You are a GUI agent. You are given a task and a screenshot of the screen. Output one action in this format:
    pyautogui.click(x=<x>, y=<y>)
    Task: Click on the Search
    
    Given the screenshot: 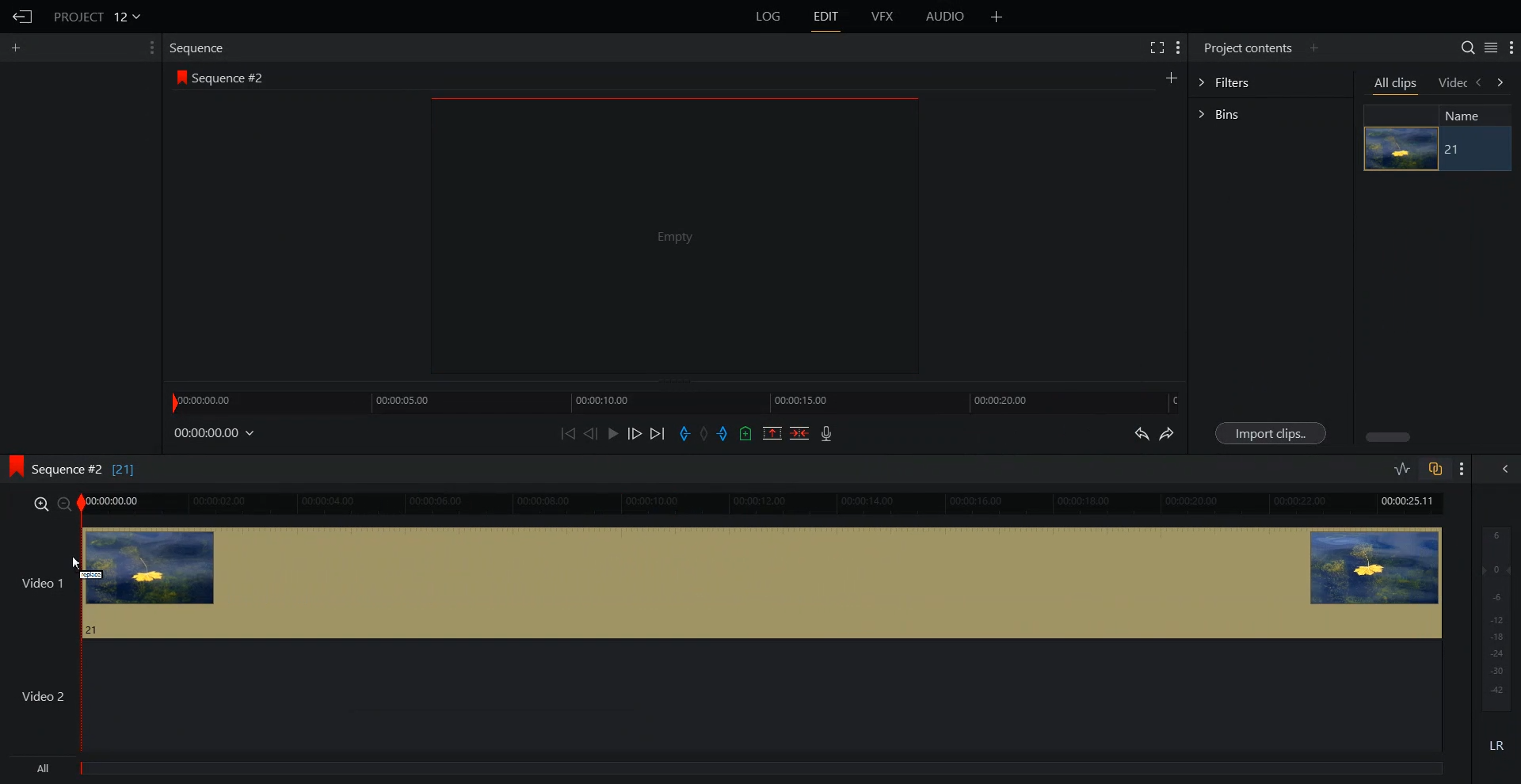 What is the action you would take?
    pyautogui.click(x=1468, y=47)
    